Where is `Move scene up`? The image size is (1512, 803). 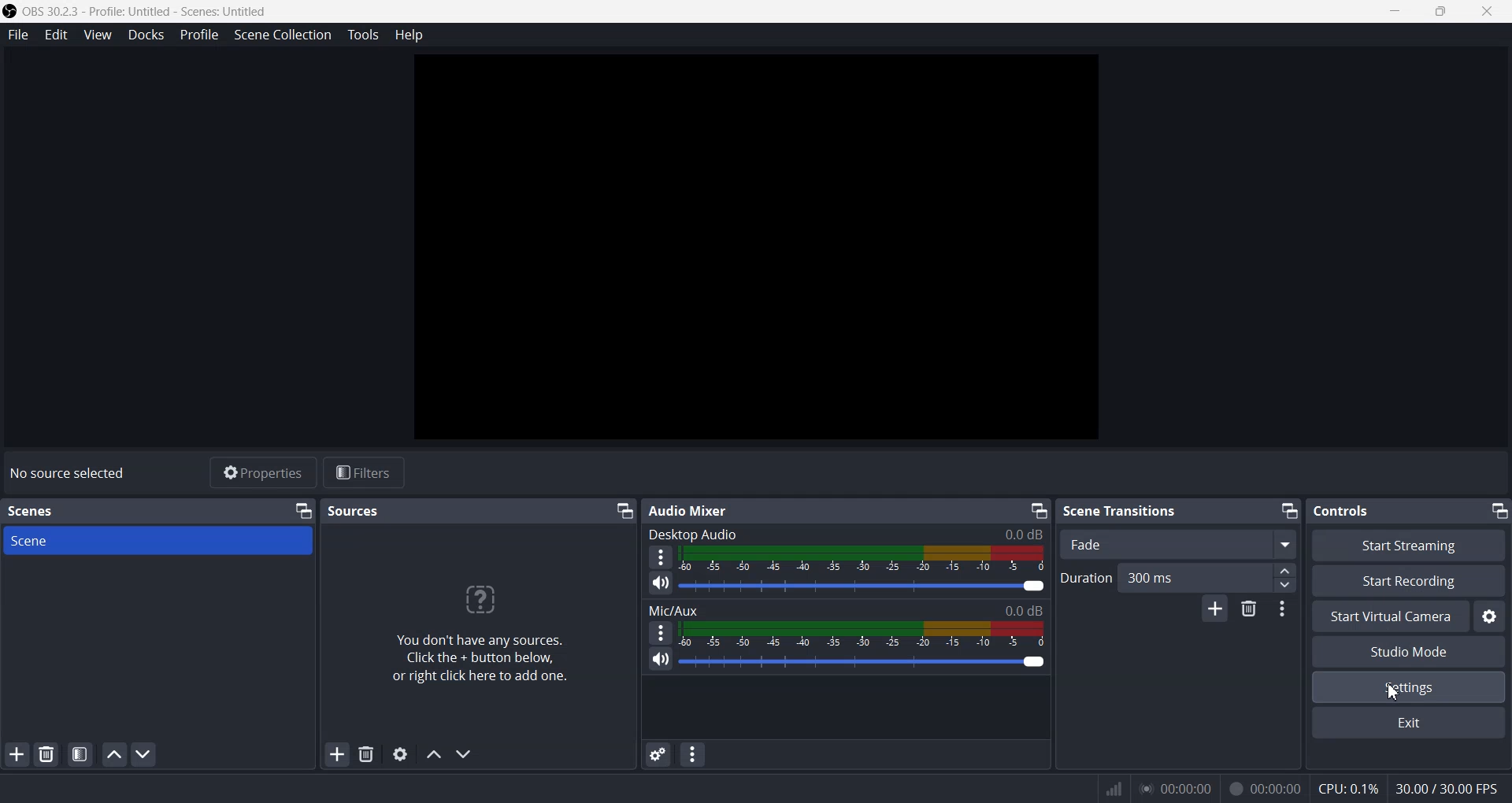
Move scene up is located at coordinates (113, 754).